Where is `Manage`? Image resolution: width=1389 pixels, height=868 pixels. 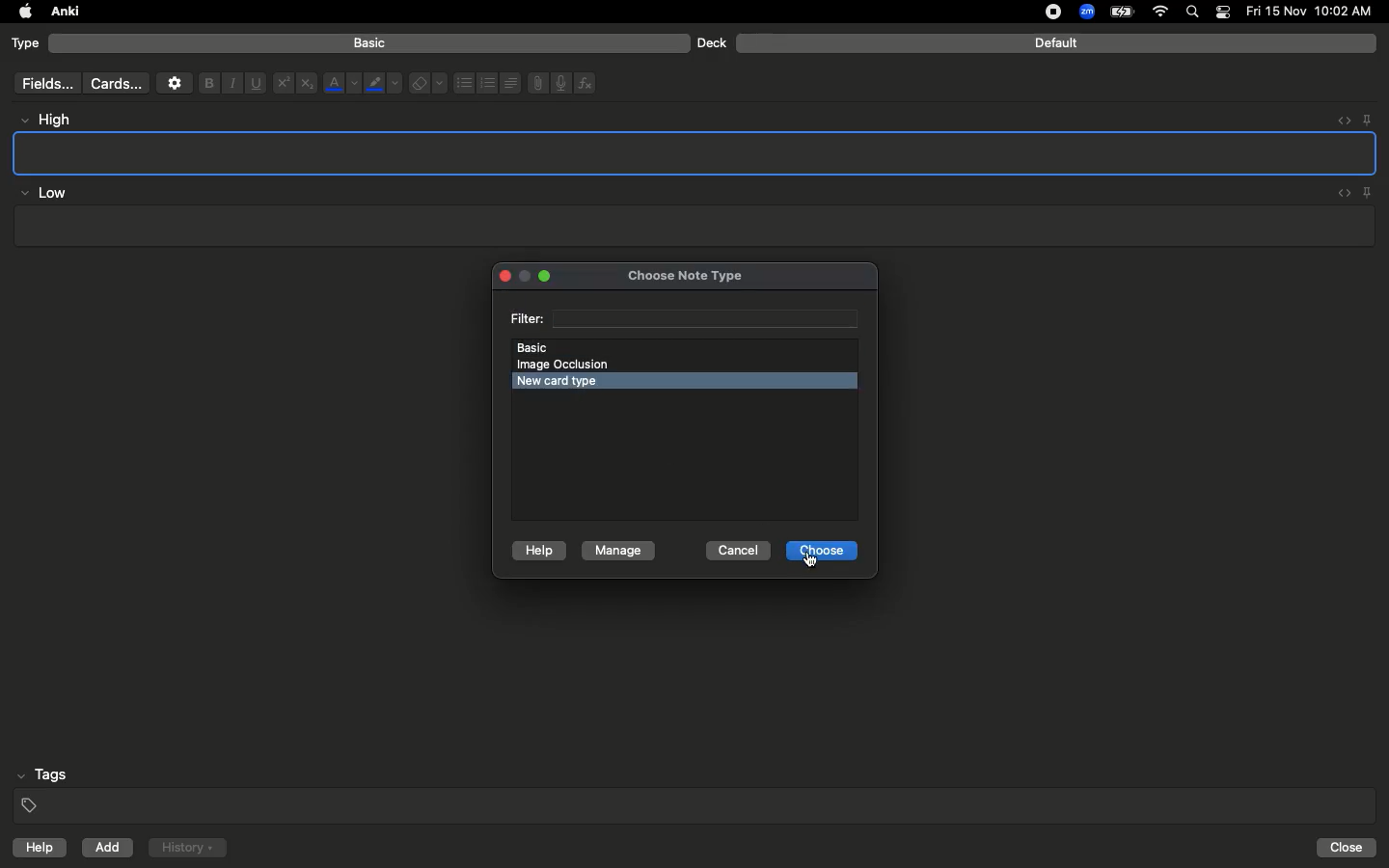 Manage is located at coordinates (618, 552).